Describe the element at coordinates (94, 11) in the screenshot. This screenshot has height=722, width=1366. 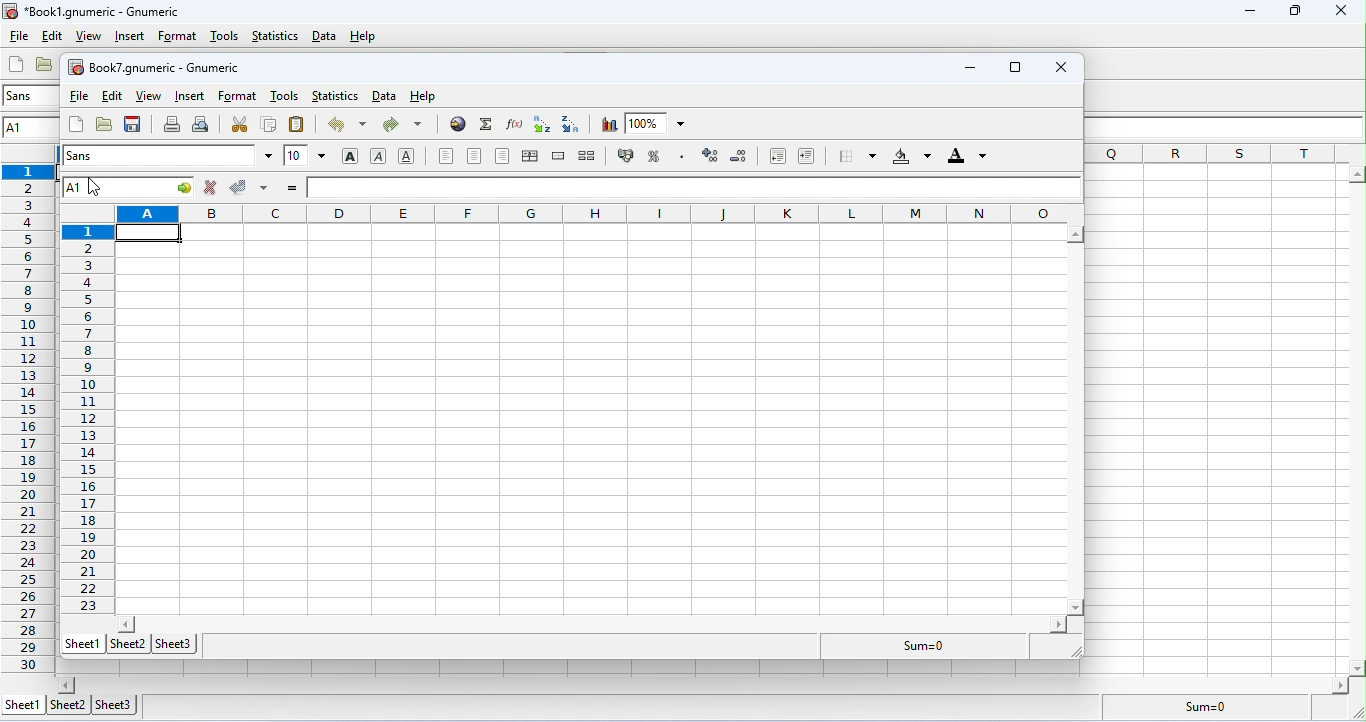
I see `title` at that location.